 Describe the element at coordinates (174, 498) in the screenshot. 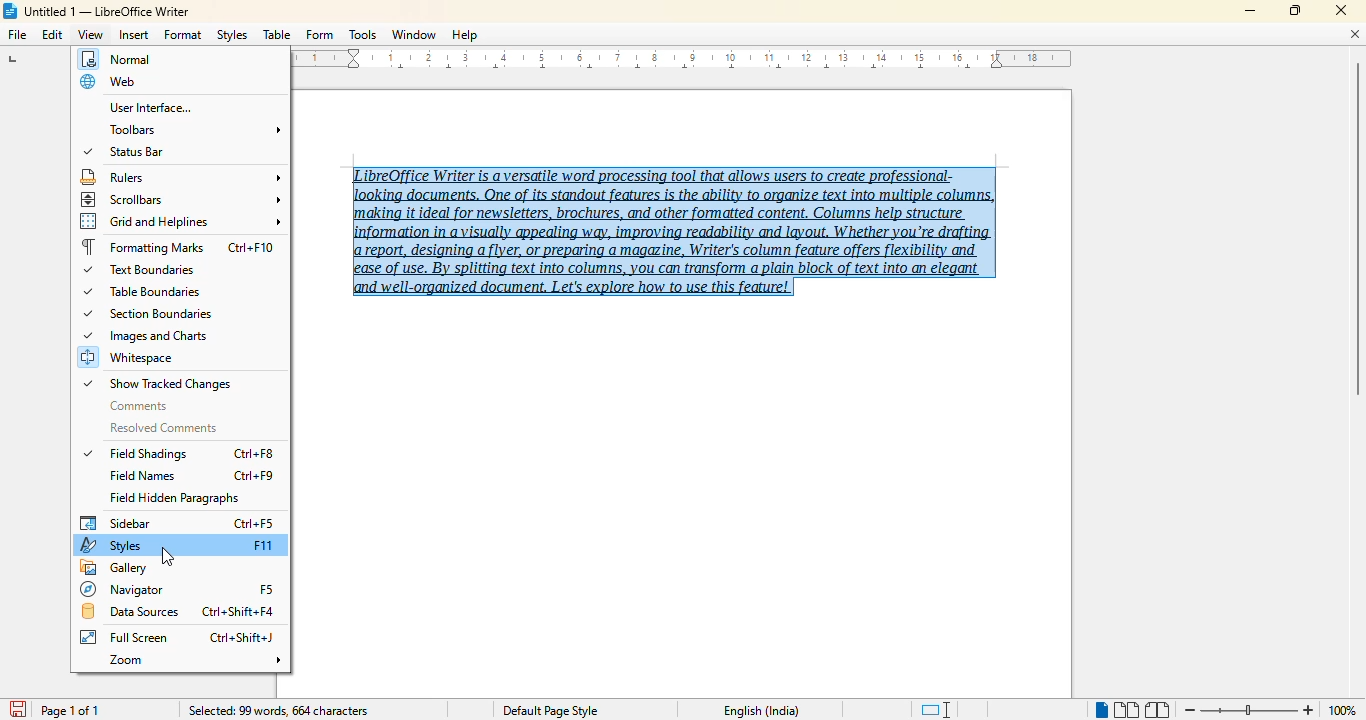

I see `field hidden paragraphs` at that location.